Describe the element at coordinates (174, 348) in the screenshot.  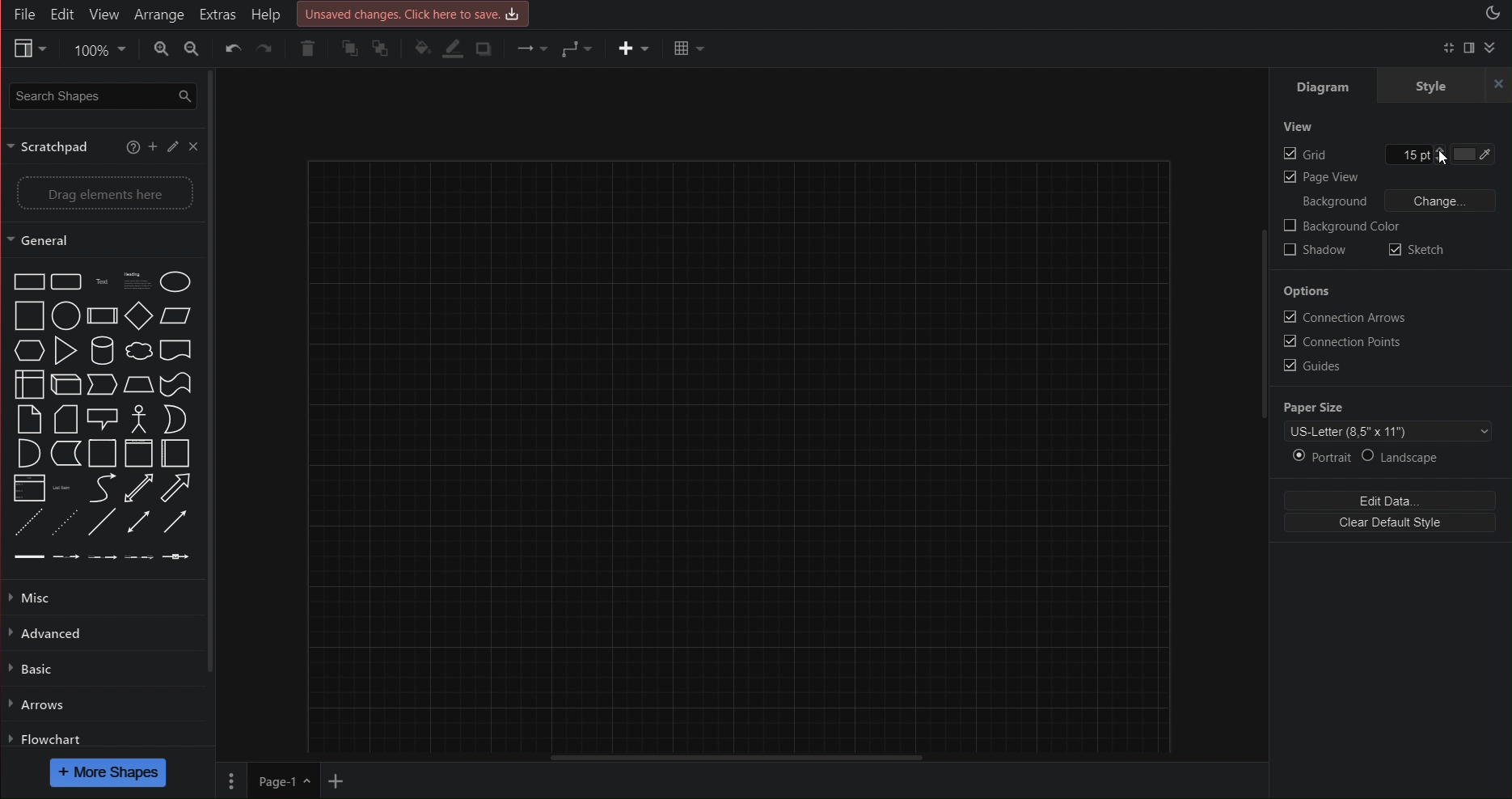
I see `` at that location.